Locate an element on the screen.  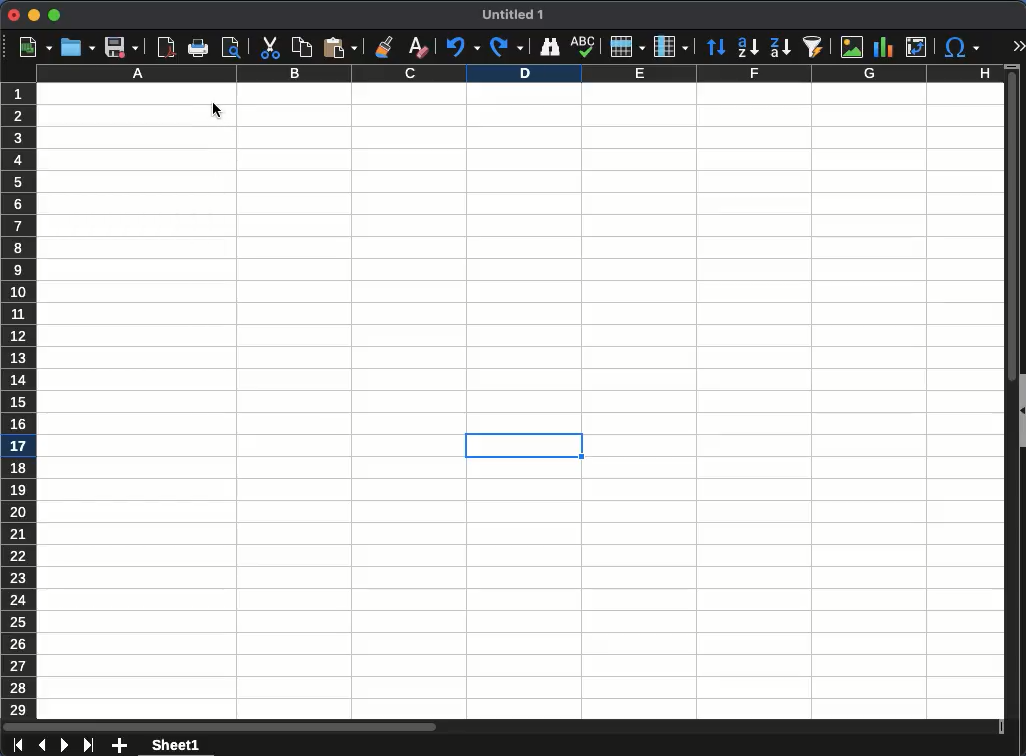
new is located at coordinates (35, 48).